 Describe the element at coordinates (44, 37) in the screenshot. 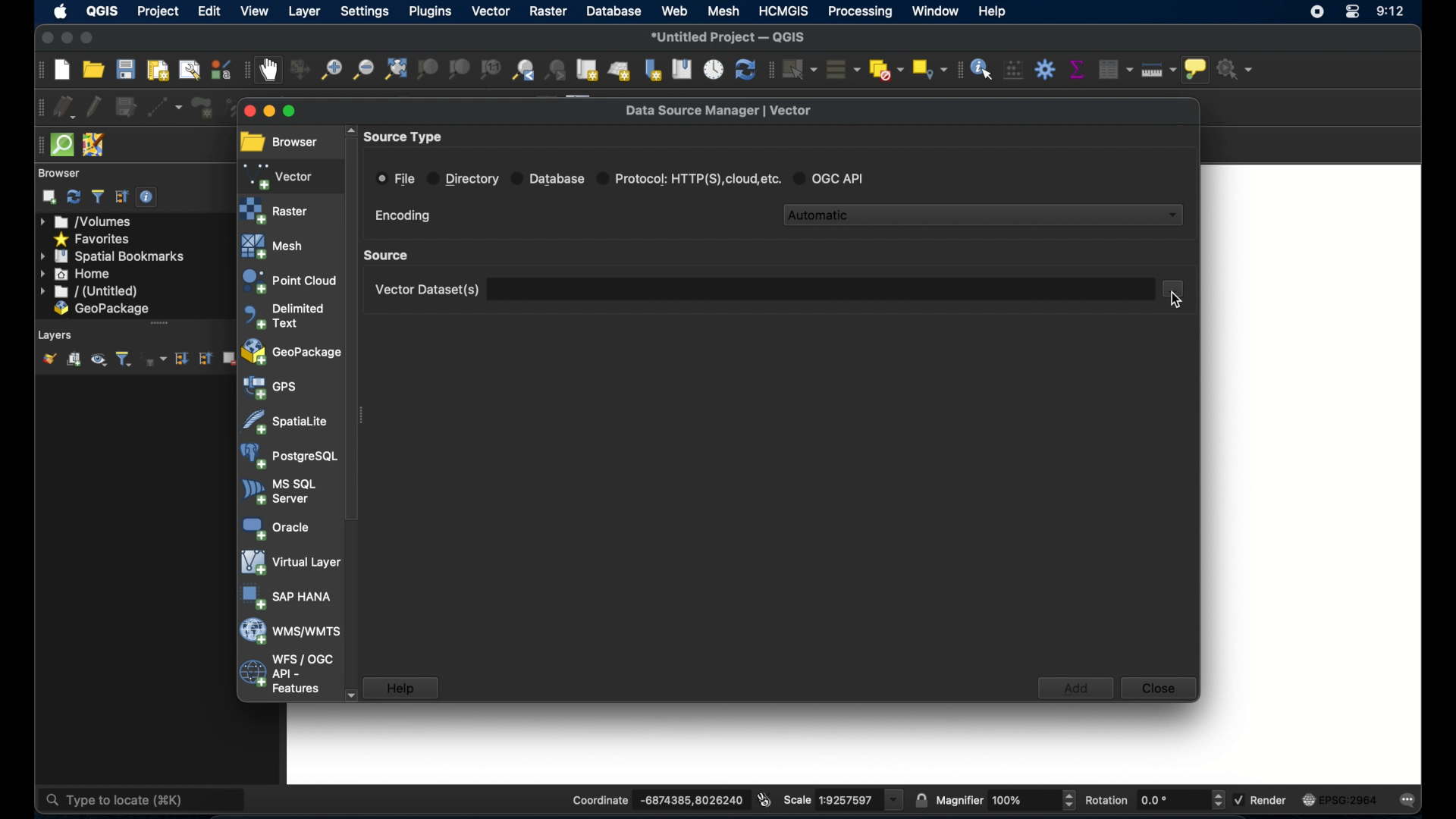

I see `close` at that location.